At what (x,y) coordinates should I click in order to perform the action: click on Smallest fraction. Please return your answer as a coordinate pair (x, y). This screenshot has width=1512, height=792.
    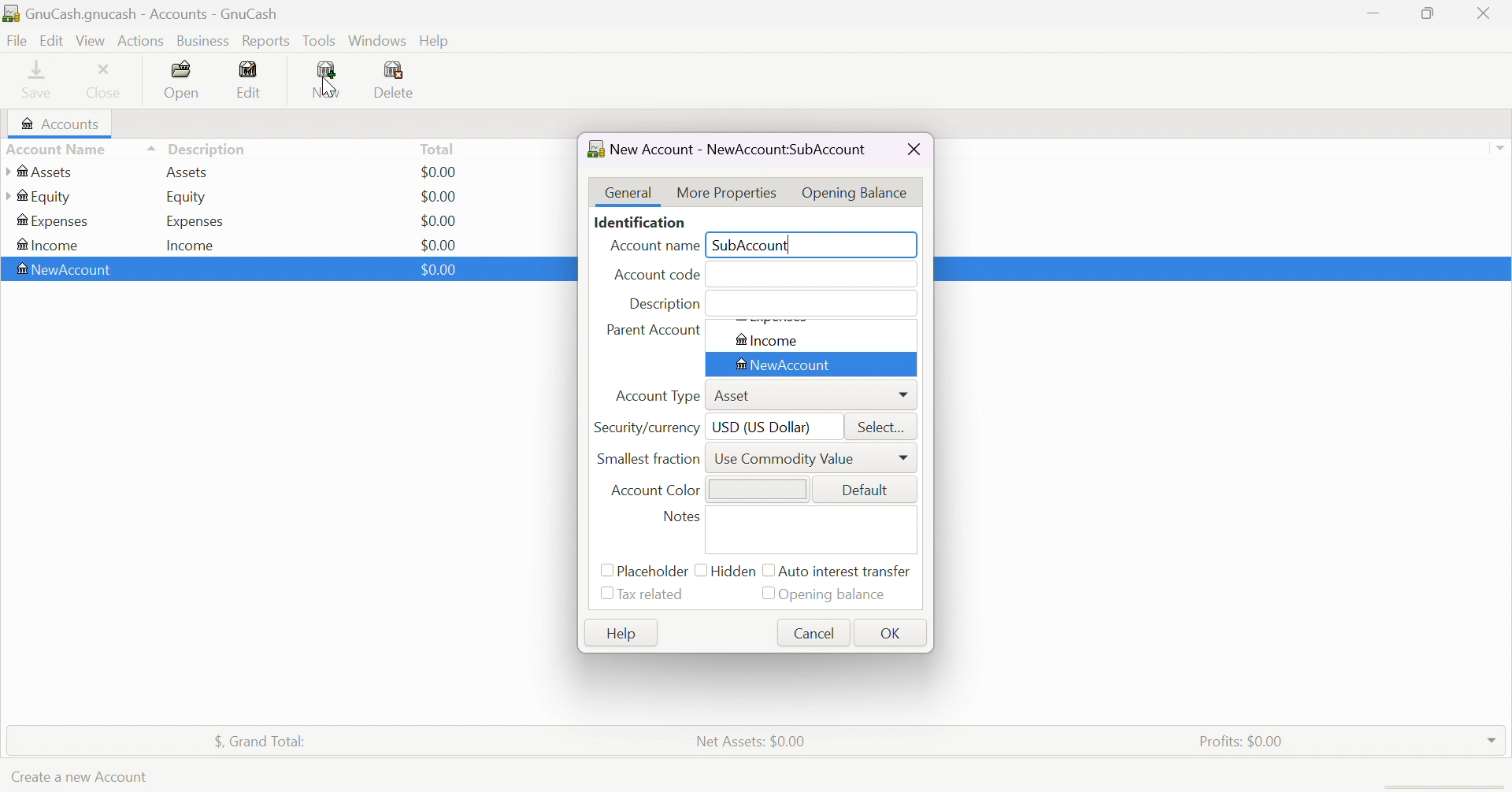
    Looking at the image, I should click on (650, 460).